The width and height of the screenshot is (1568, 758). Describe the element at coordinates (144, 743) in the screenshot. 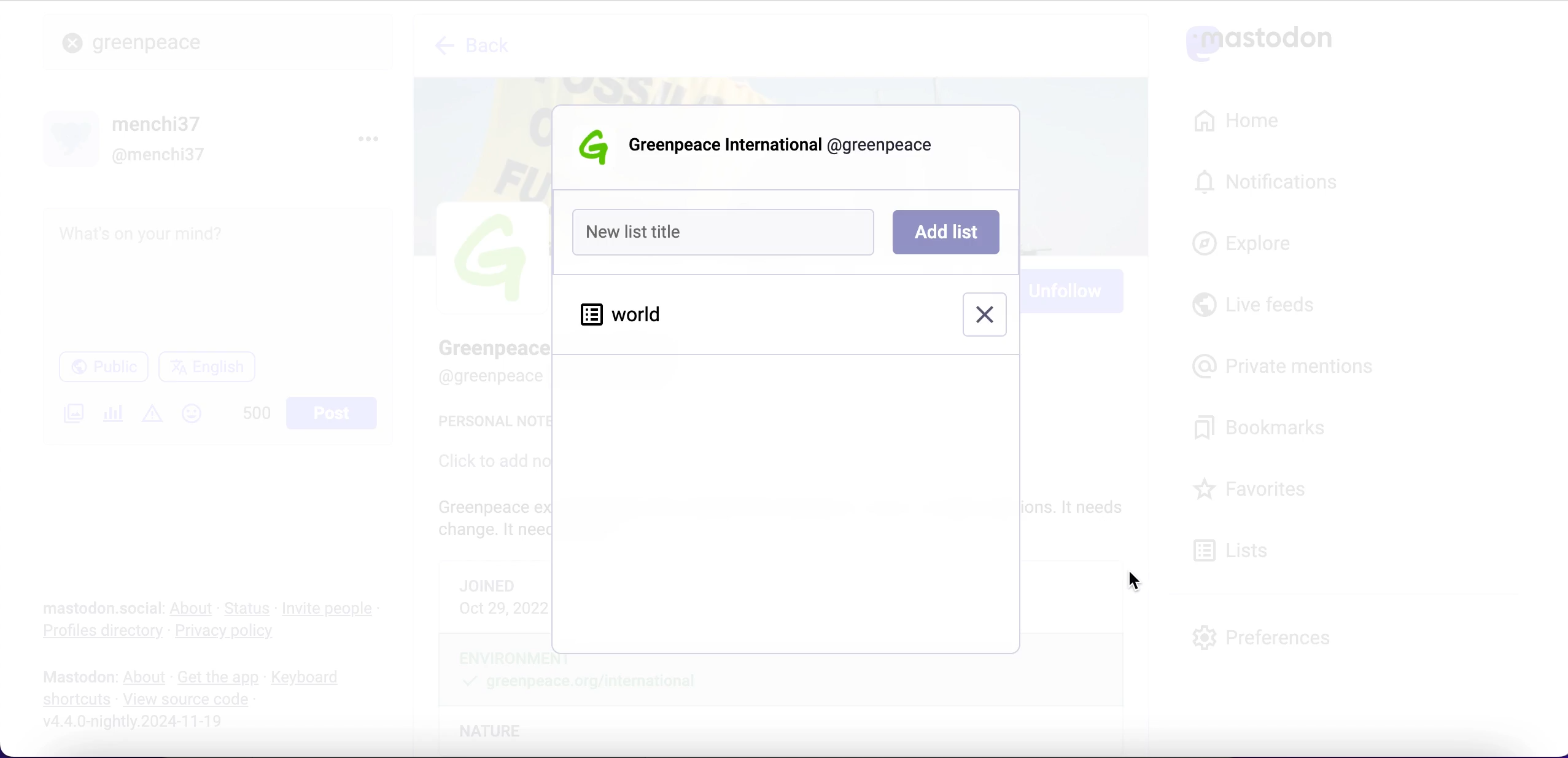

I see `URL` at that location.